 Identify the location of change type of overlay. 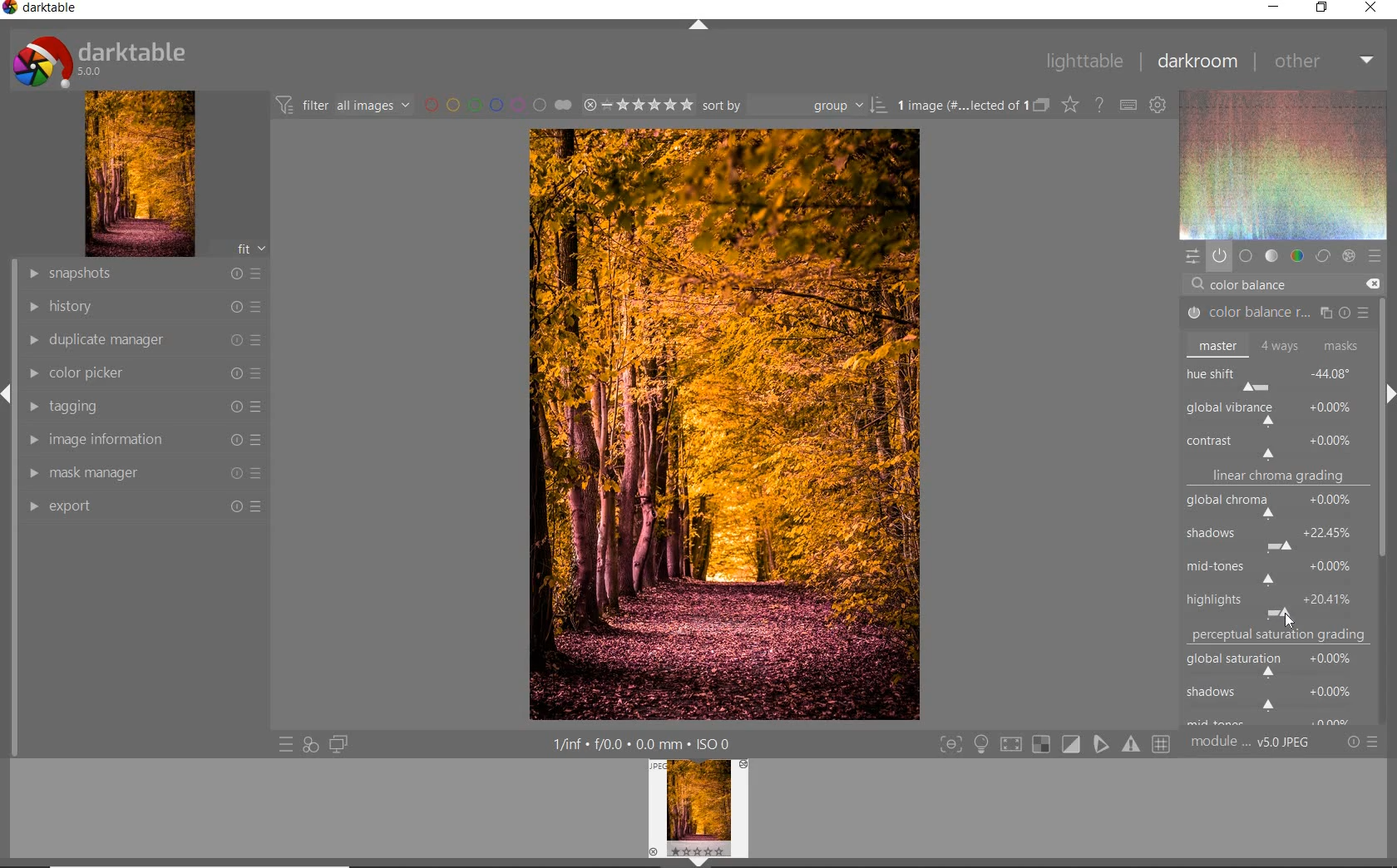
(1069, 106).